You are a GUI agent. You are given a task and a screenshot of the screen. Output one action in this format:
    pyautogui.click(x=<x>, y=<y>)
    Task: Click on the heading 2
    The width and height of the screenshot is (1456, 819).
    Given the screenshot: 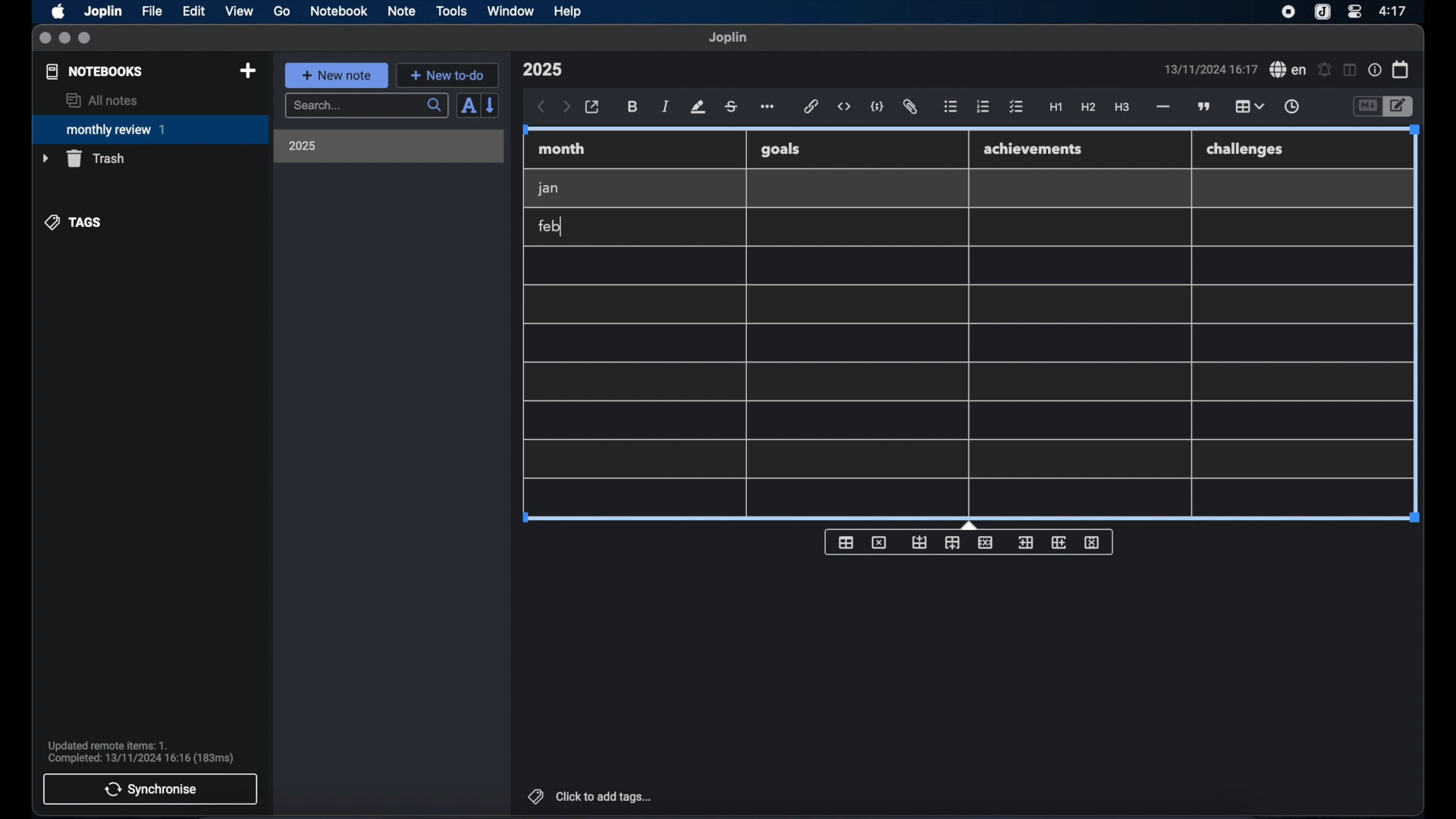 What is the action you would take?
    pyautogui.click(x=1089, y=108)
    